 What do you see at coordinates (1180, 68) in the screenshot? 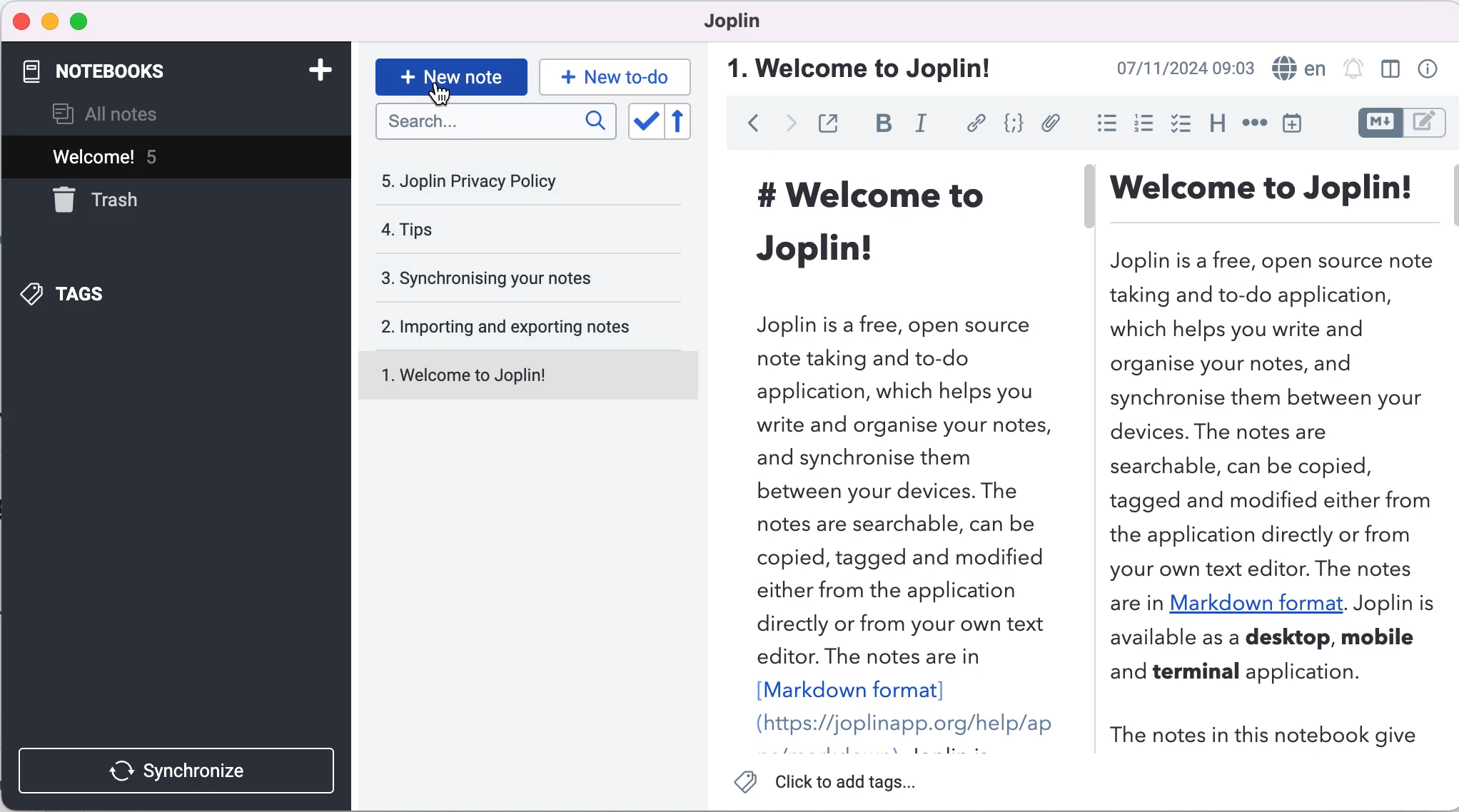
I see `07/11/2024 09:02` at bounding box center [1180, 68].